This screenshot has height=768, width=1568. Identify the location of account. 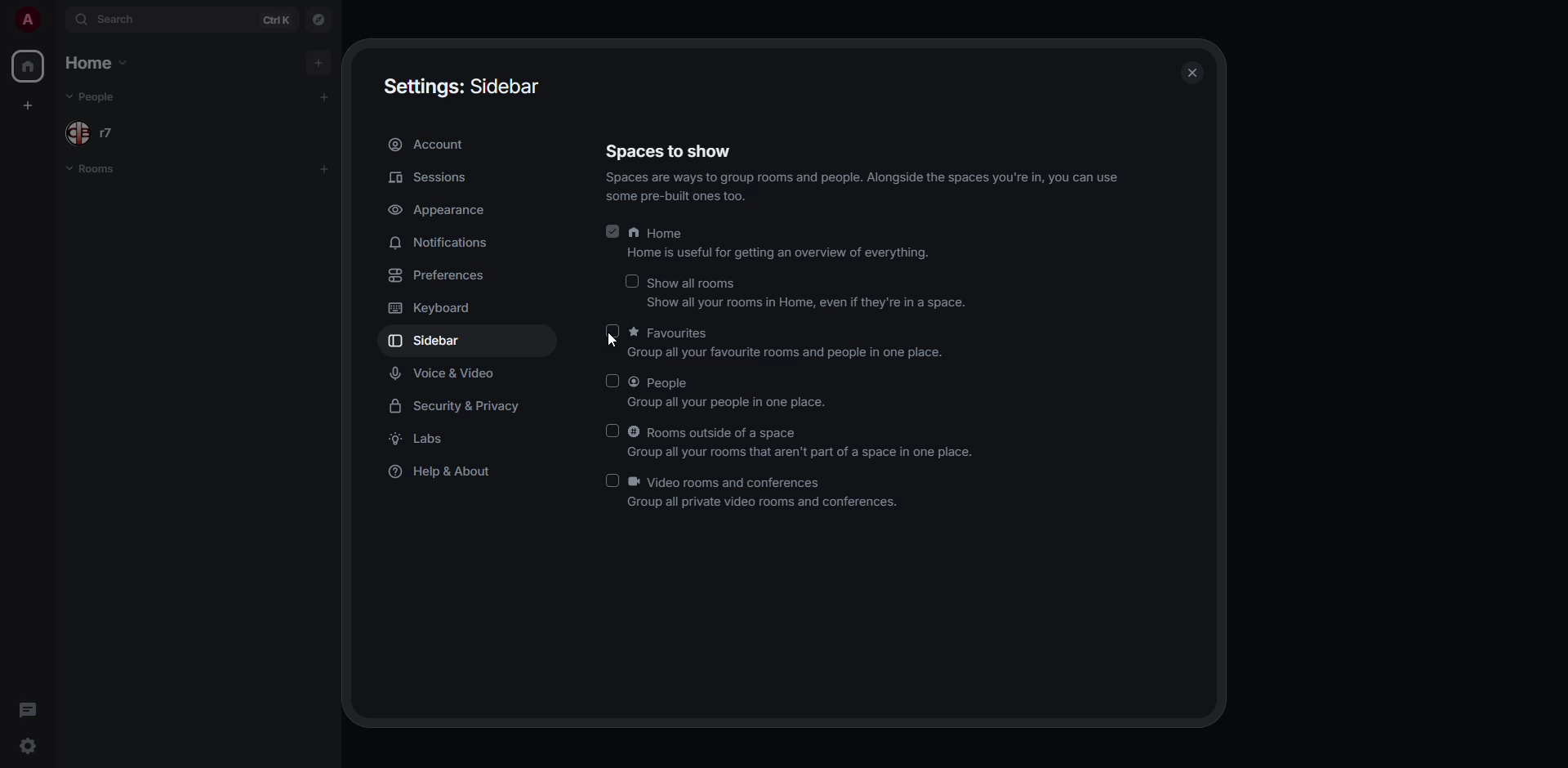
(433, 144).